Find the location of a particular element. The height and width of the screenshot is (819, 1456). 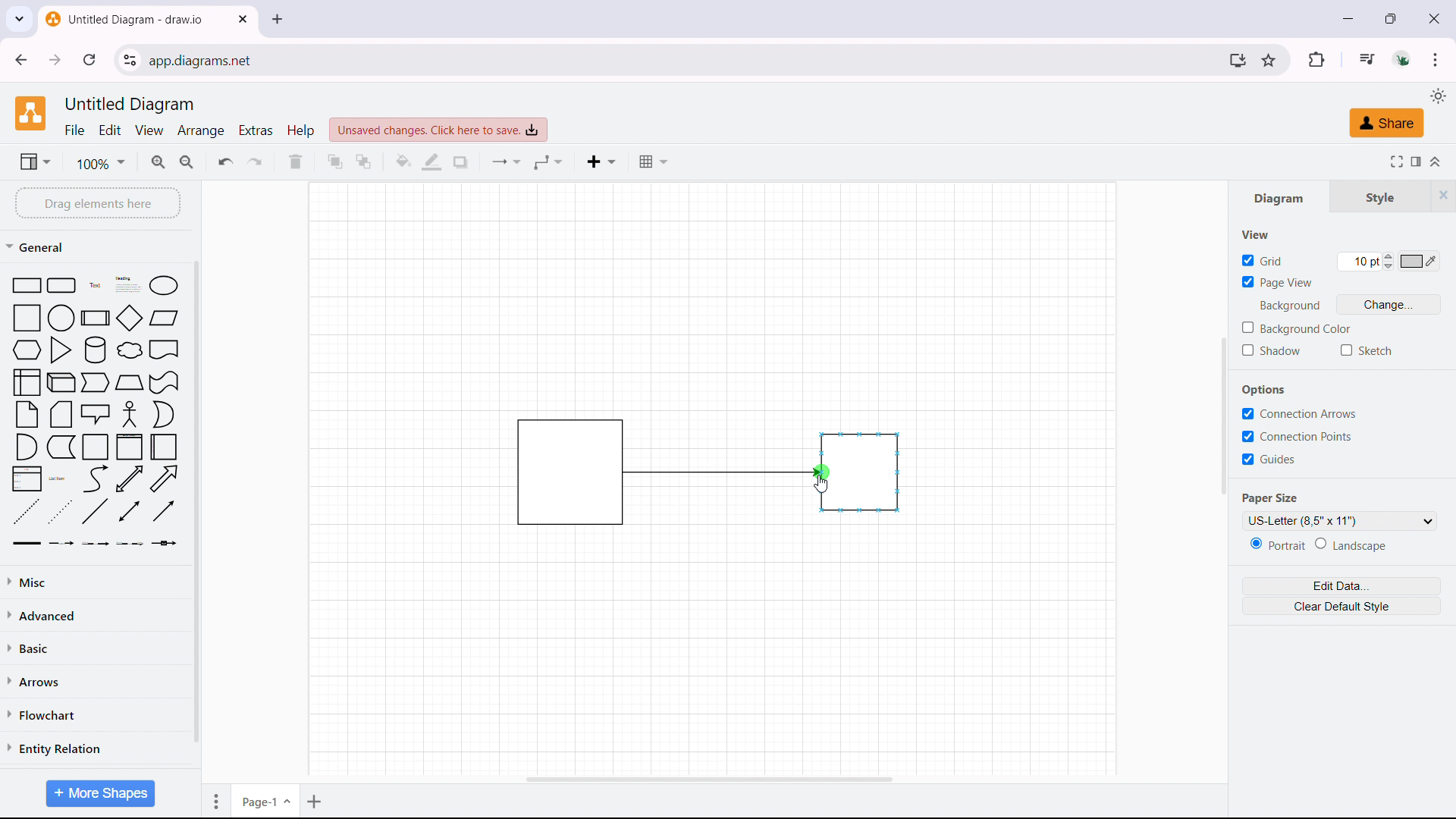

select theme is located at coordinates (1437, 96).